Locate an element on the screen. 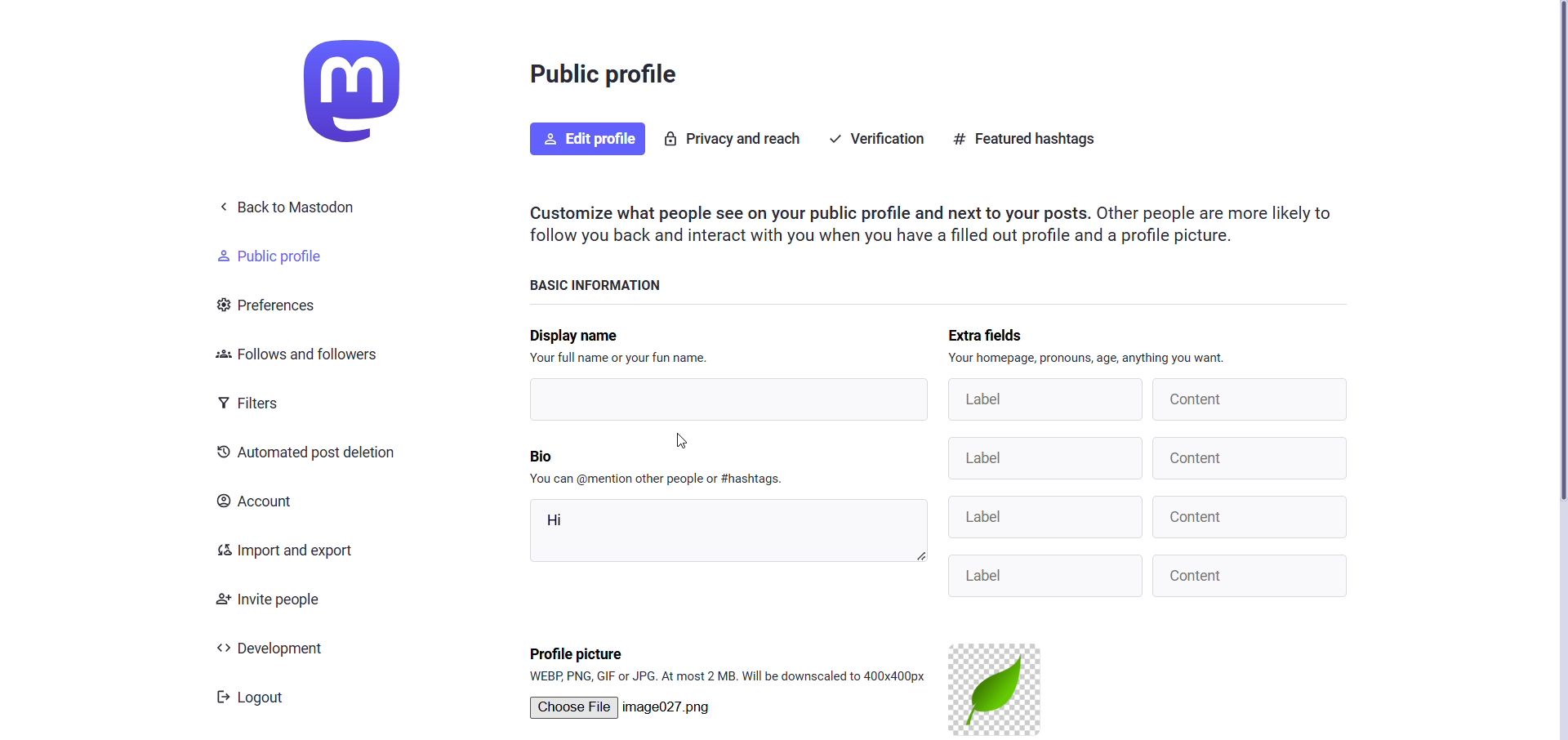  Choose File | No file chosen is located at coordinates (621, 707).